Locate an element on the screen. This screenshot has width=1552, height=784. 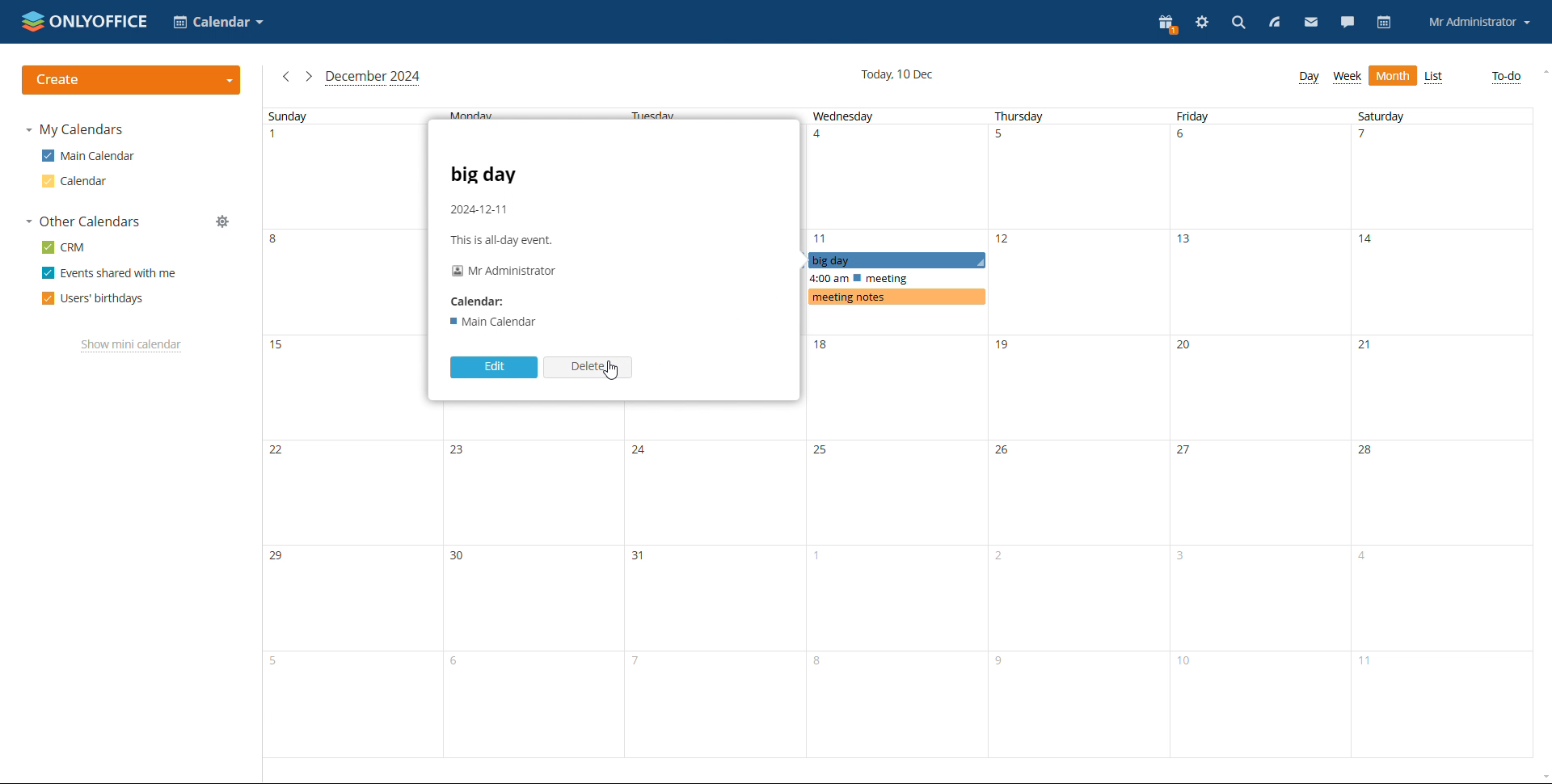
month view is located at coordinates (1393, 75).